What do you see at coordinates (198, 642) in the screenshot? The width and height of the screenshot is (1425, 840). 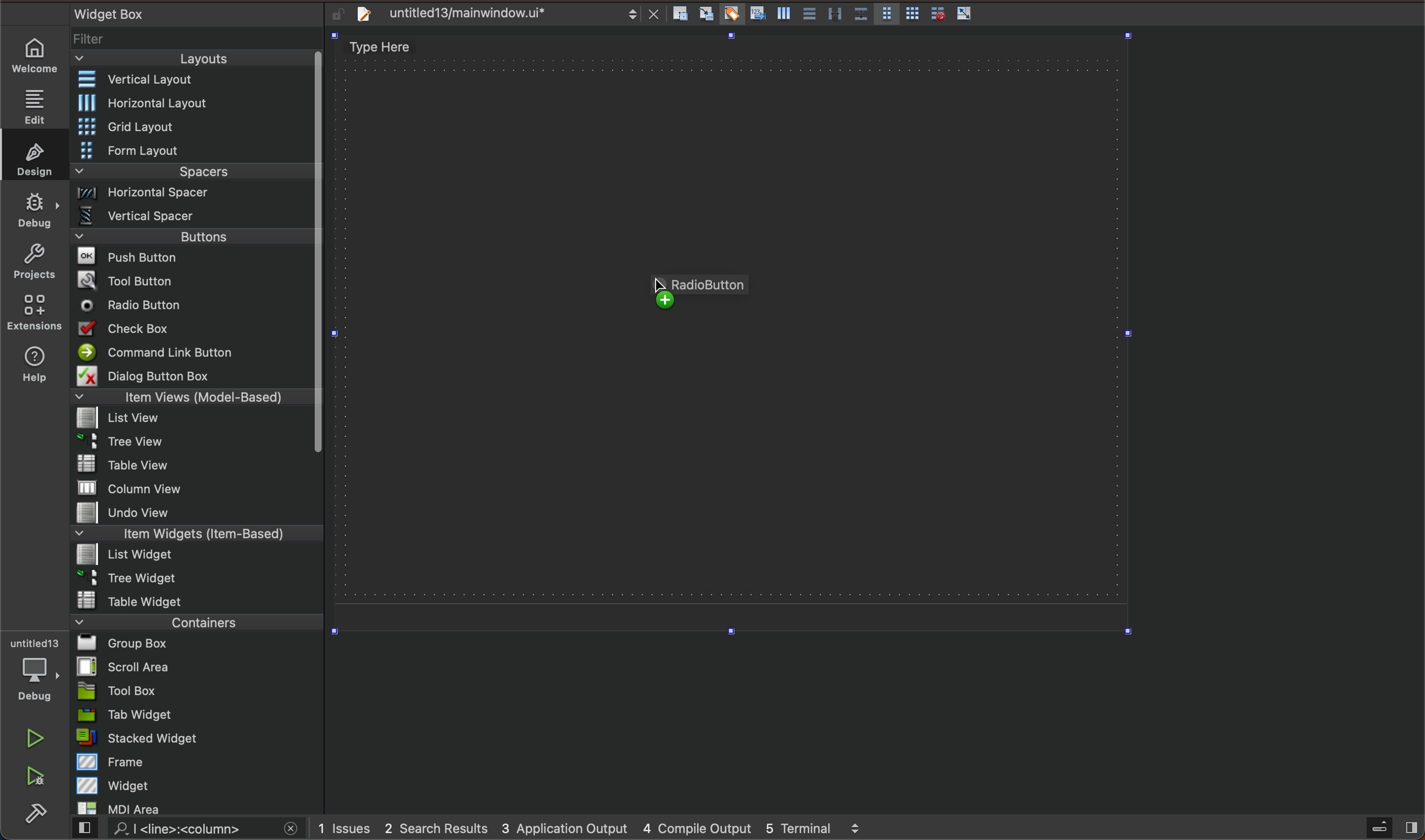 I see `group box` at bounding box center [198, 642].